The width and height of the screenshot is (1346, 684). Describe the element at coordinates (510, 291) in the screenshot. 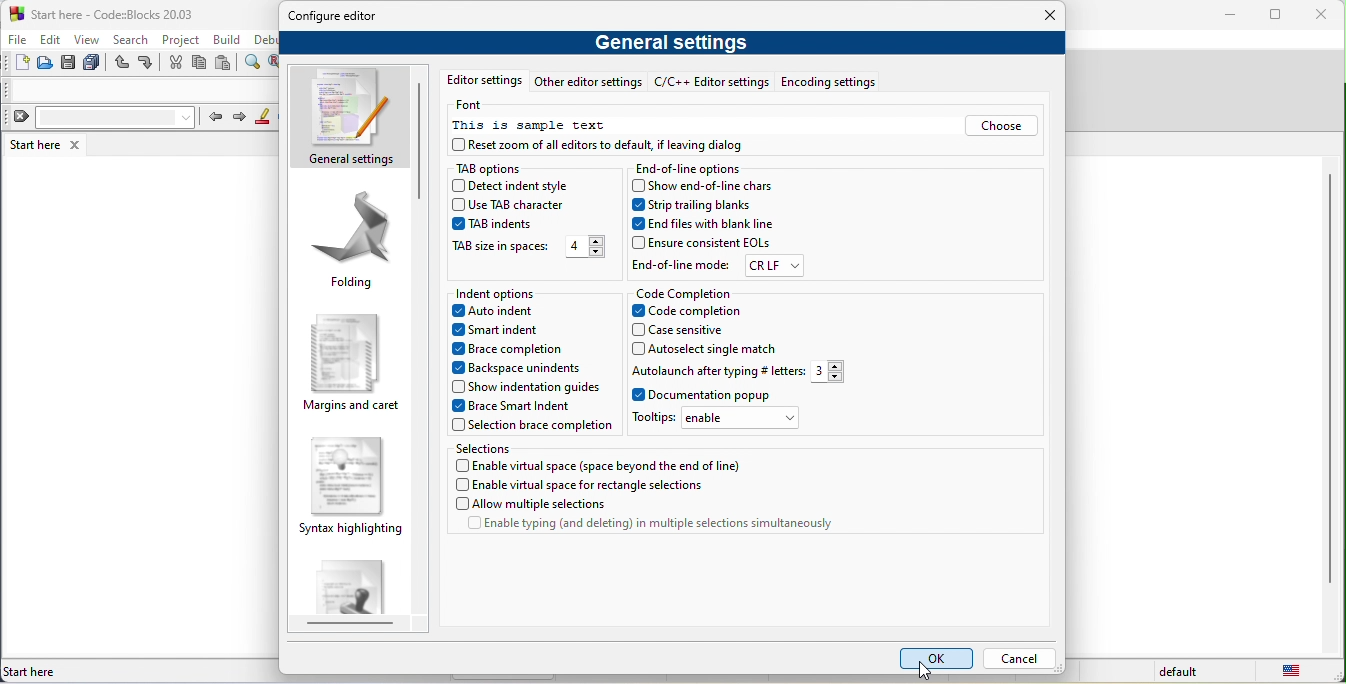

I see `indent option` at that location.